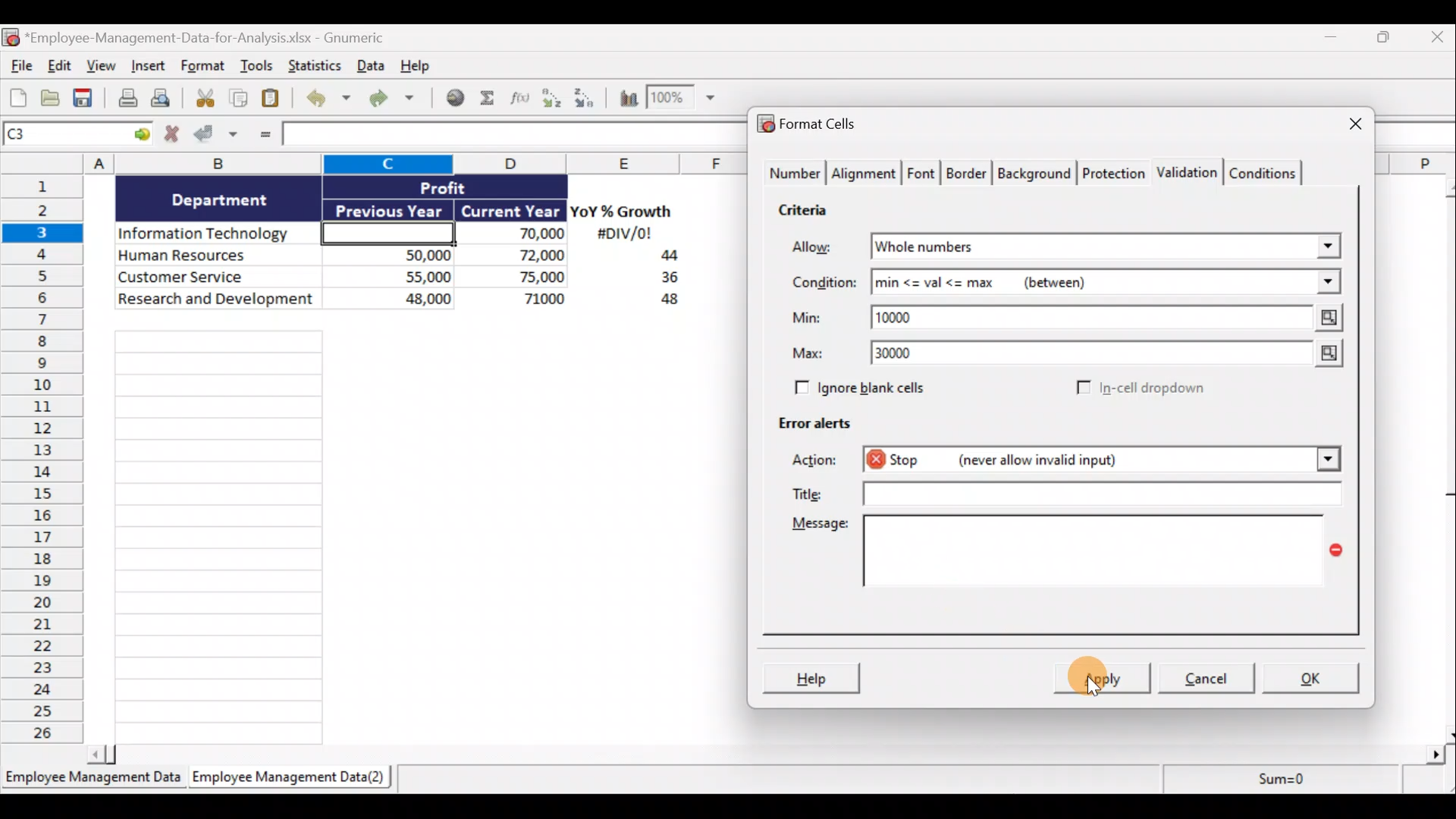  Describe the element at coordinates (218, 275) in the screenshot. I see `Customer Service` at that location.